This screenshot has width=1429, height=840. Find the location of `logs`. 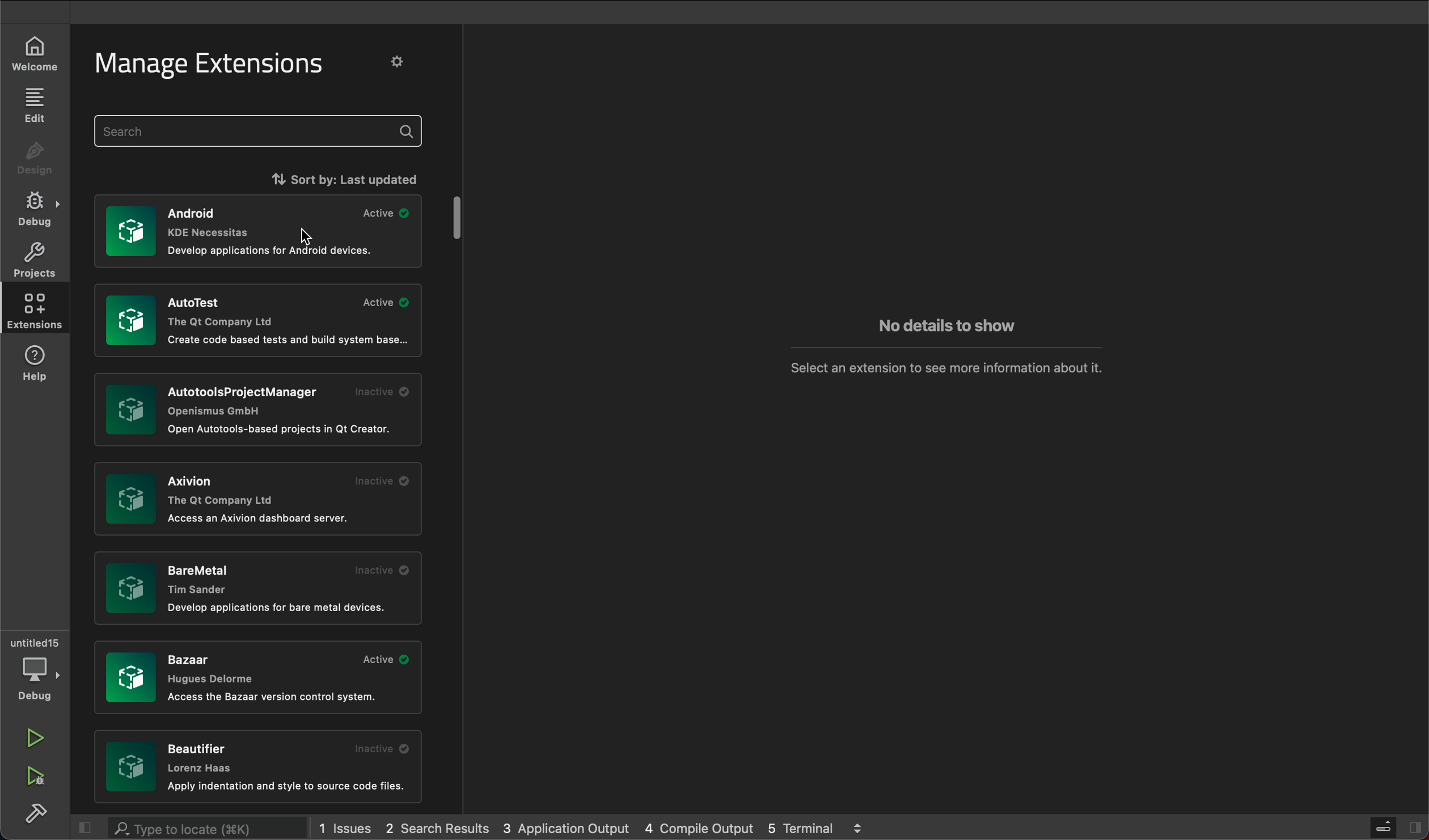

logs is located at coordinates (704, 826).